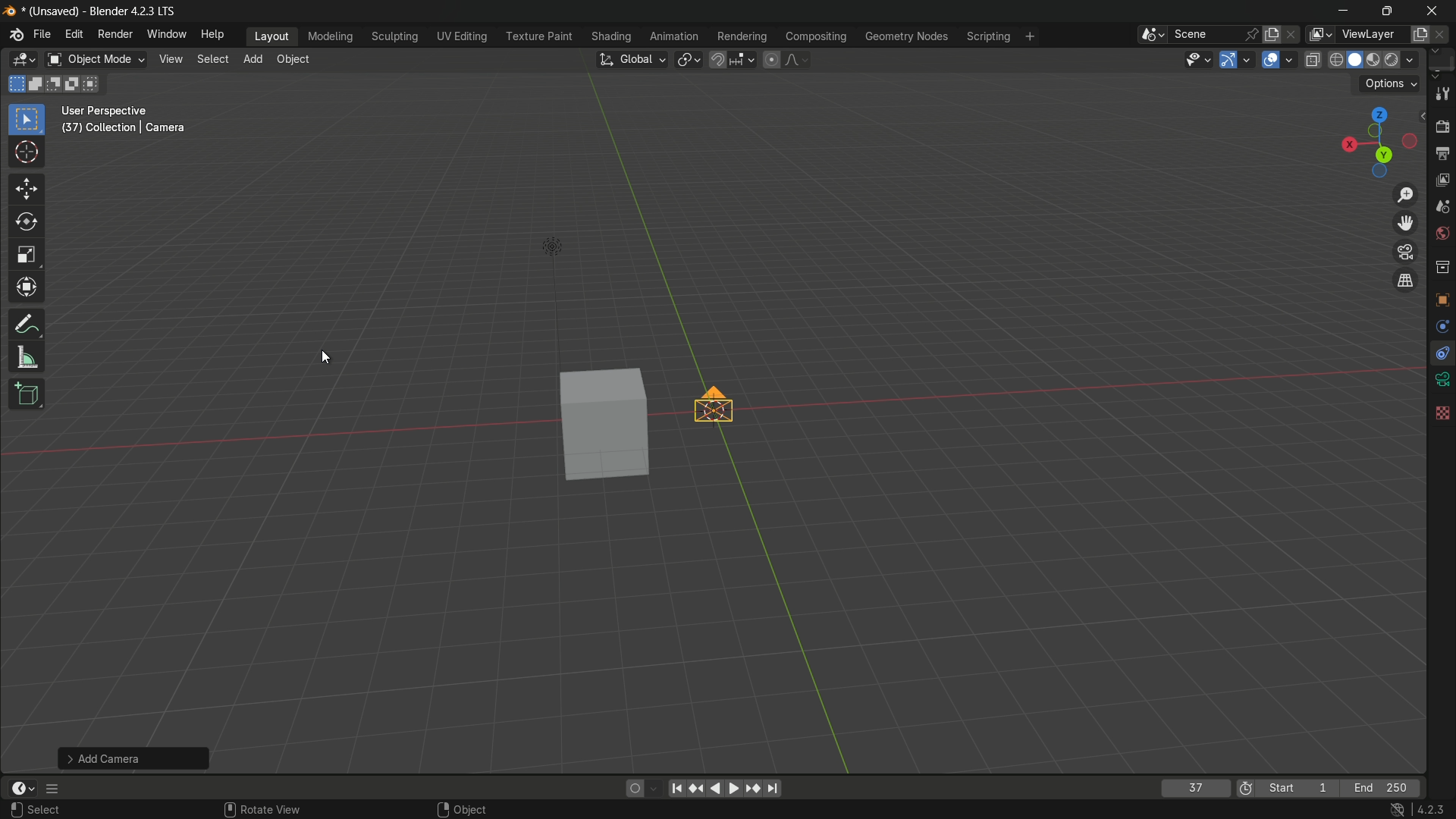  What do you see at coordinates (905, 36) in the screenshot?
I see `geometry nodes menu` at bounding box center [905, 36].